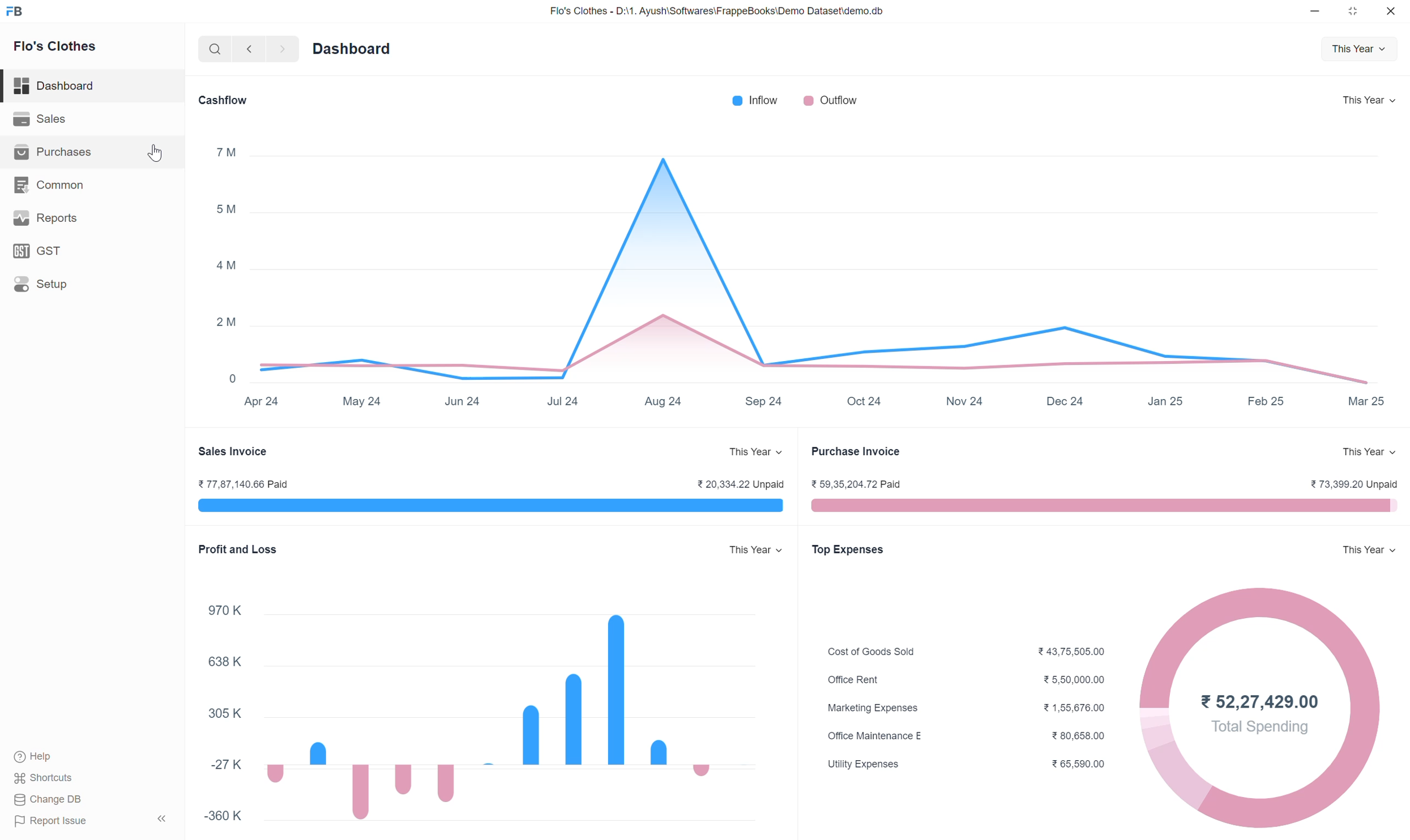 Image resolution: width=1410 pixels, height=840 pixels. What do you see at coordinates (1366, 549) in the screenshot?
I see `This Year v` at bounding box center [1366, 549].